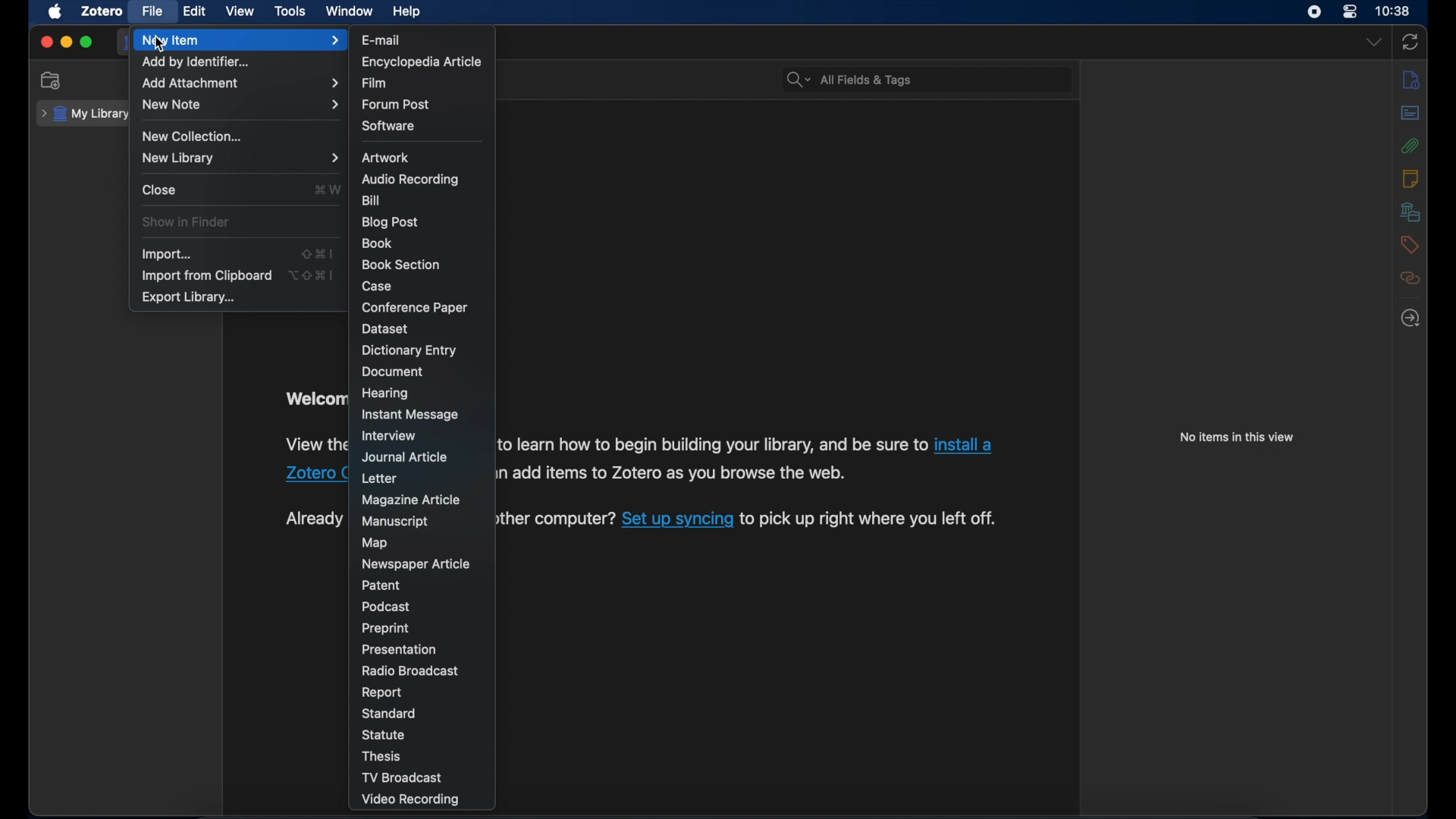 The height and width of the screenshot is (819, 1456). Describe the element at coordinates (849, 80) in the screenshot. I see `search bar` at that location.